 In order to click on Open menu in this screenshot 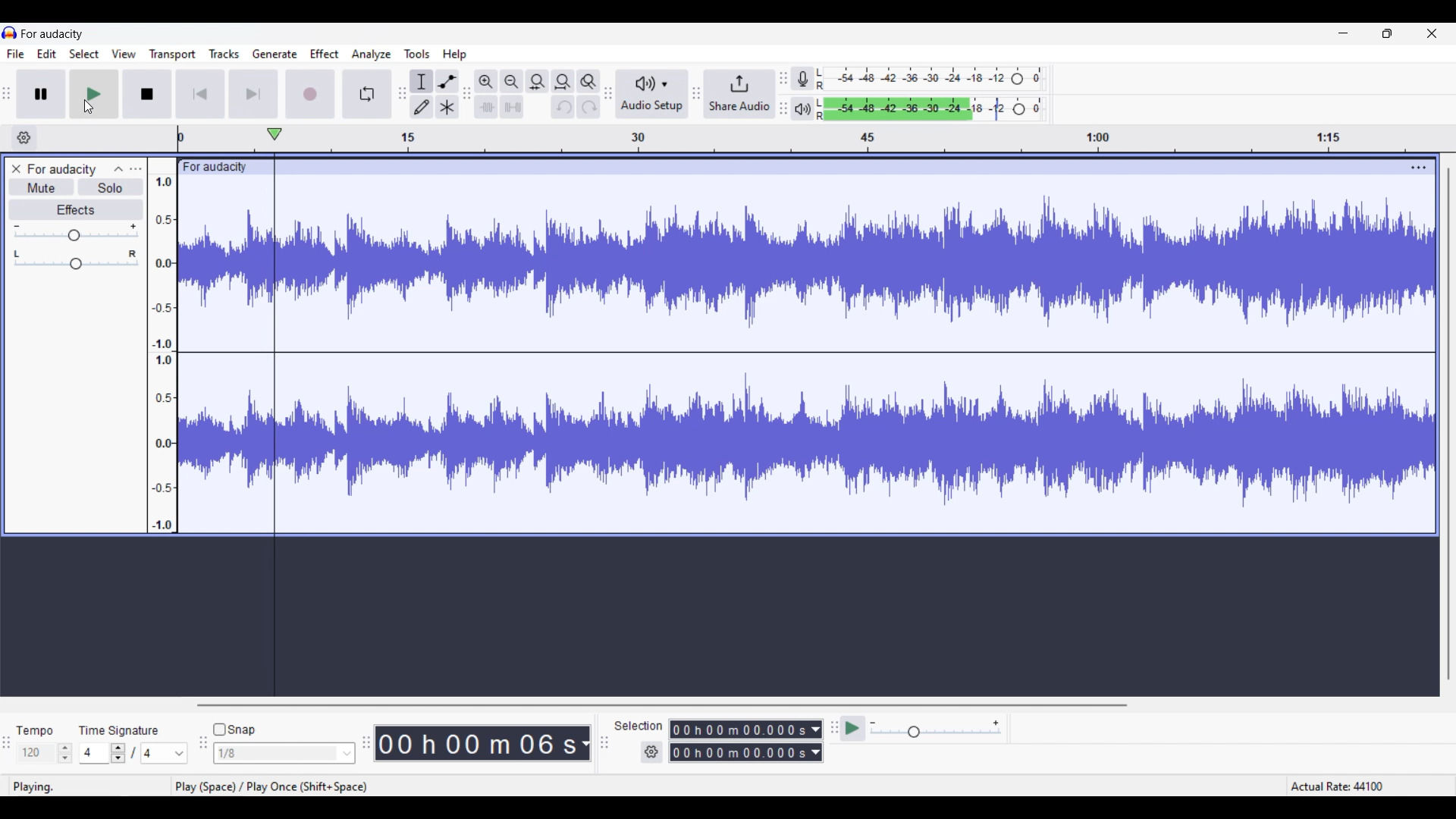, I will do `click(136, 170)`.